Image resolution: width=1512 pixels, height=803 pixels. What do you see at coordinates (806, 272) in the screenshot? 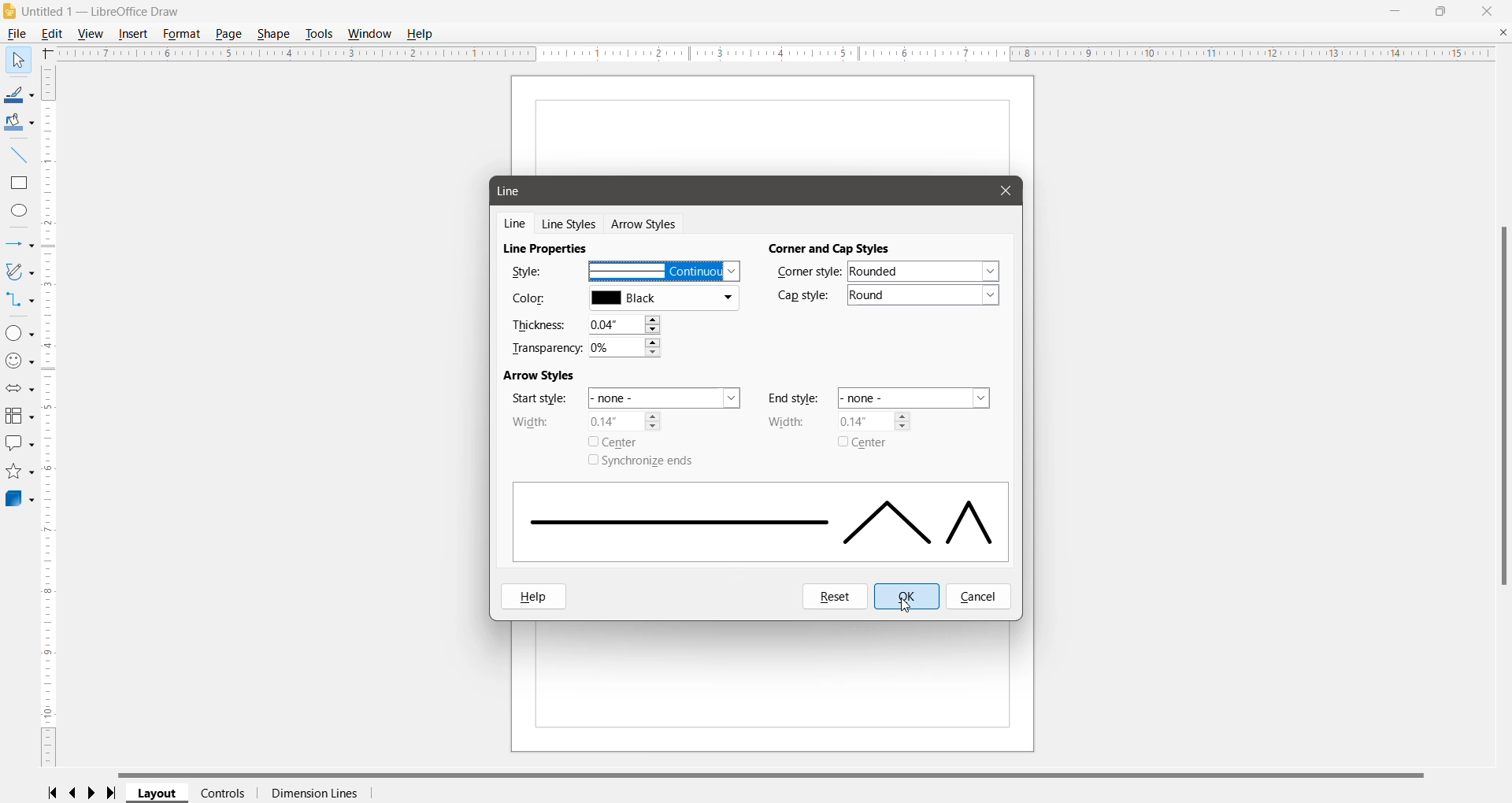
I see `Corner Style` at bounding box center [806, 272].